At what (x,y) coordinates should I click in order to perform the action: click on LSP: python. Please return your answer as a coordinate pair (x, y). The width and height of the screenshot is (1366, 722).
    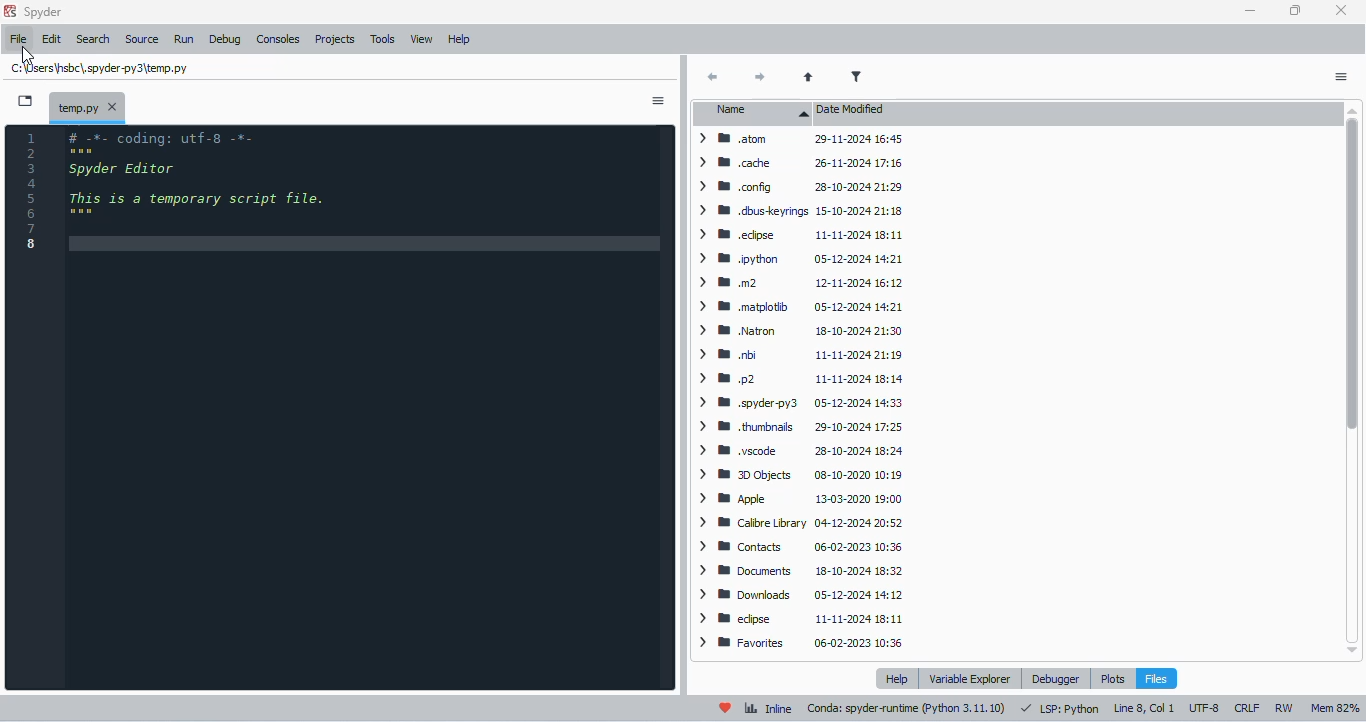
    Looking at the image, I should click on (1061, 709).